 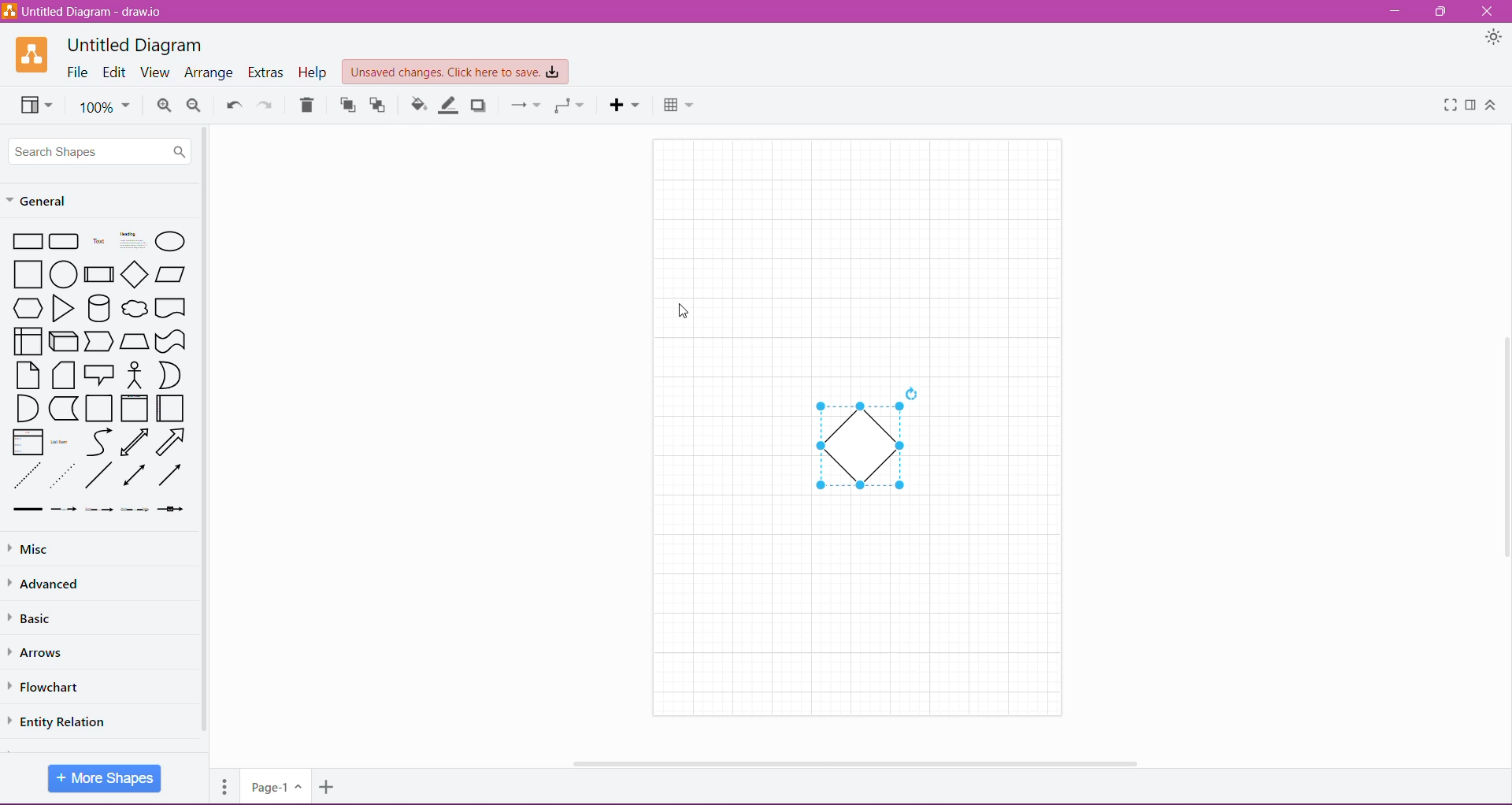 What do you see at coordinates (683, 312) in the screenshot?
I see `Cursor` at bounding box center [683, 312].